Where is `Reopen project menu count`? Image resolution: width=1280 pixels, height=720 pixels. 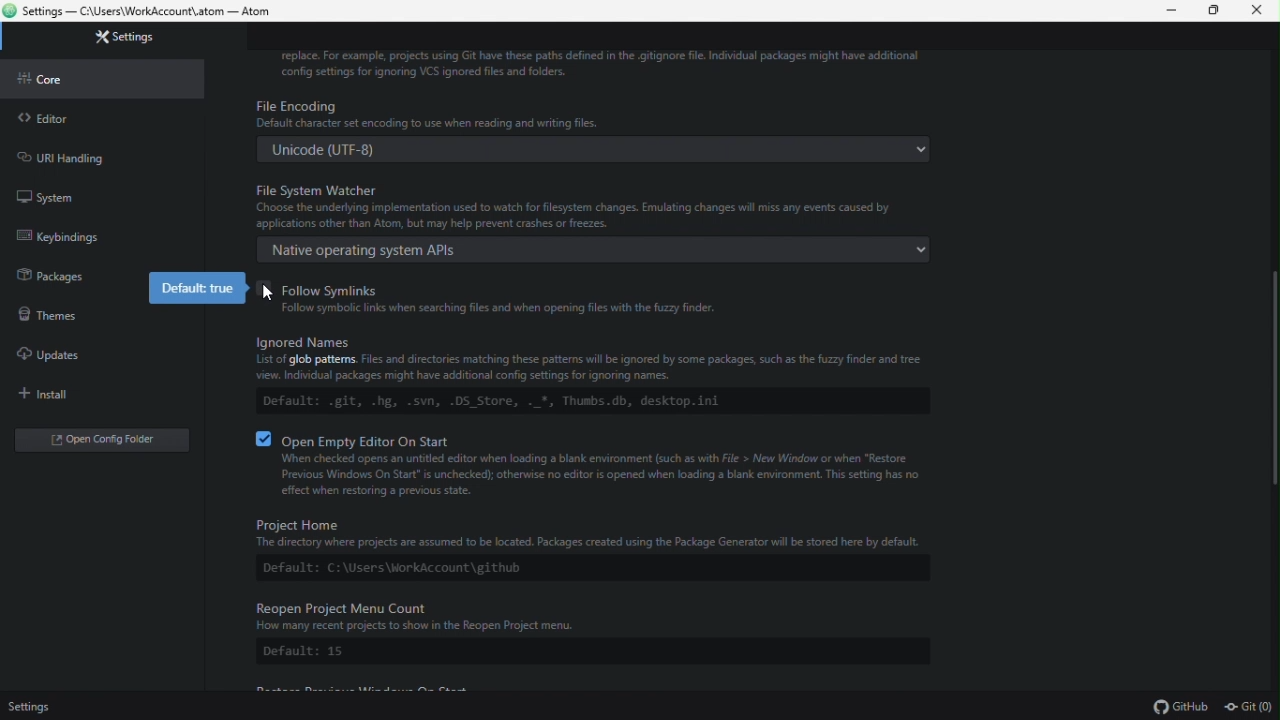 Reopen project menu count is located at coordinates (592, 632).